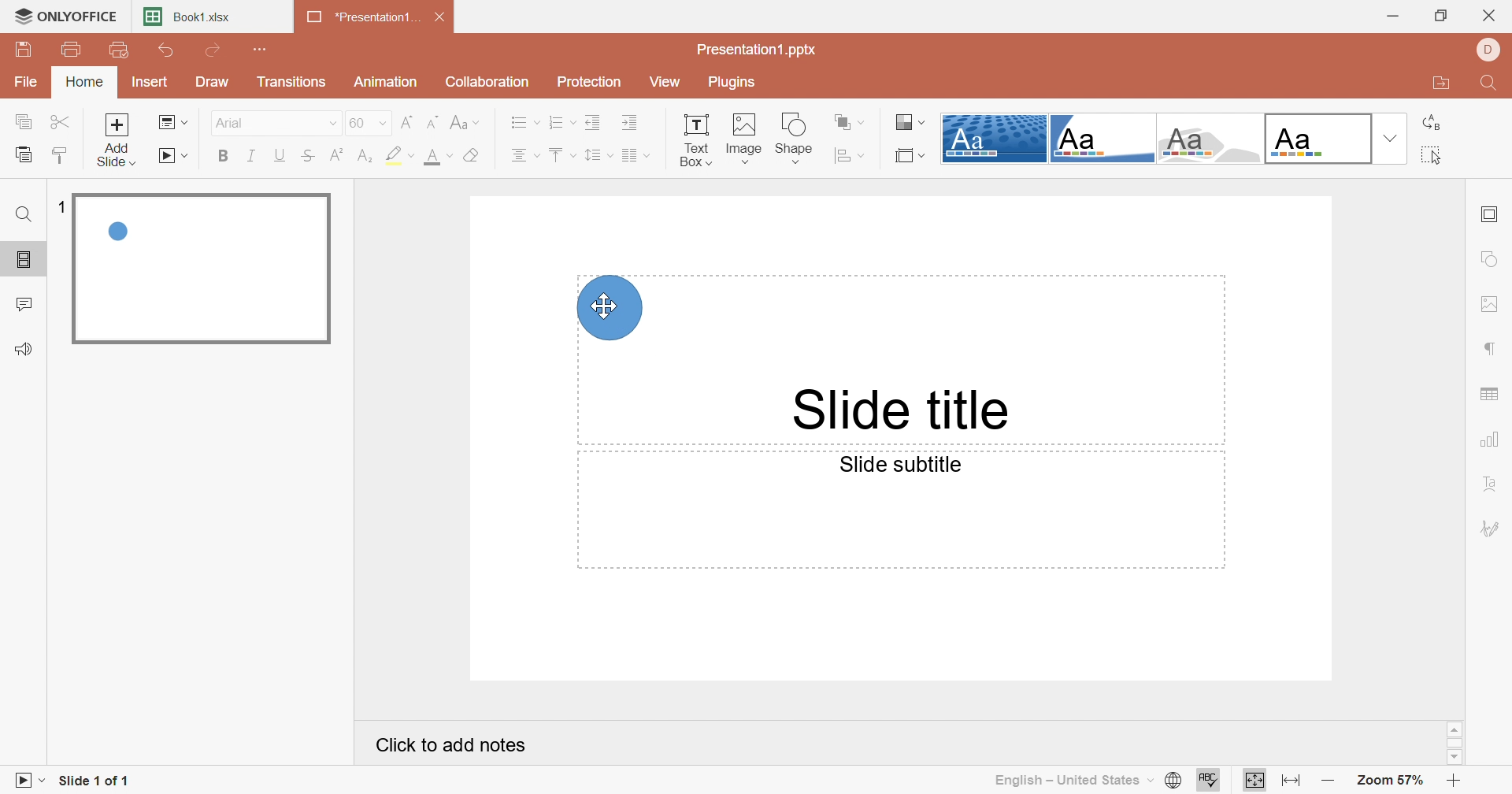  I want to click on Slide 1 of 1, so click(94, 782).